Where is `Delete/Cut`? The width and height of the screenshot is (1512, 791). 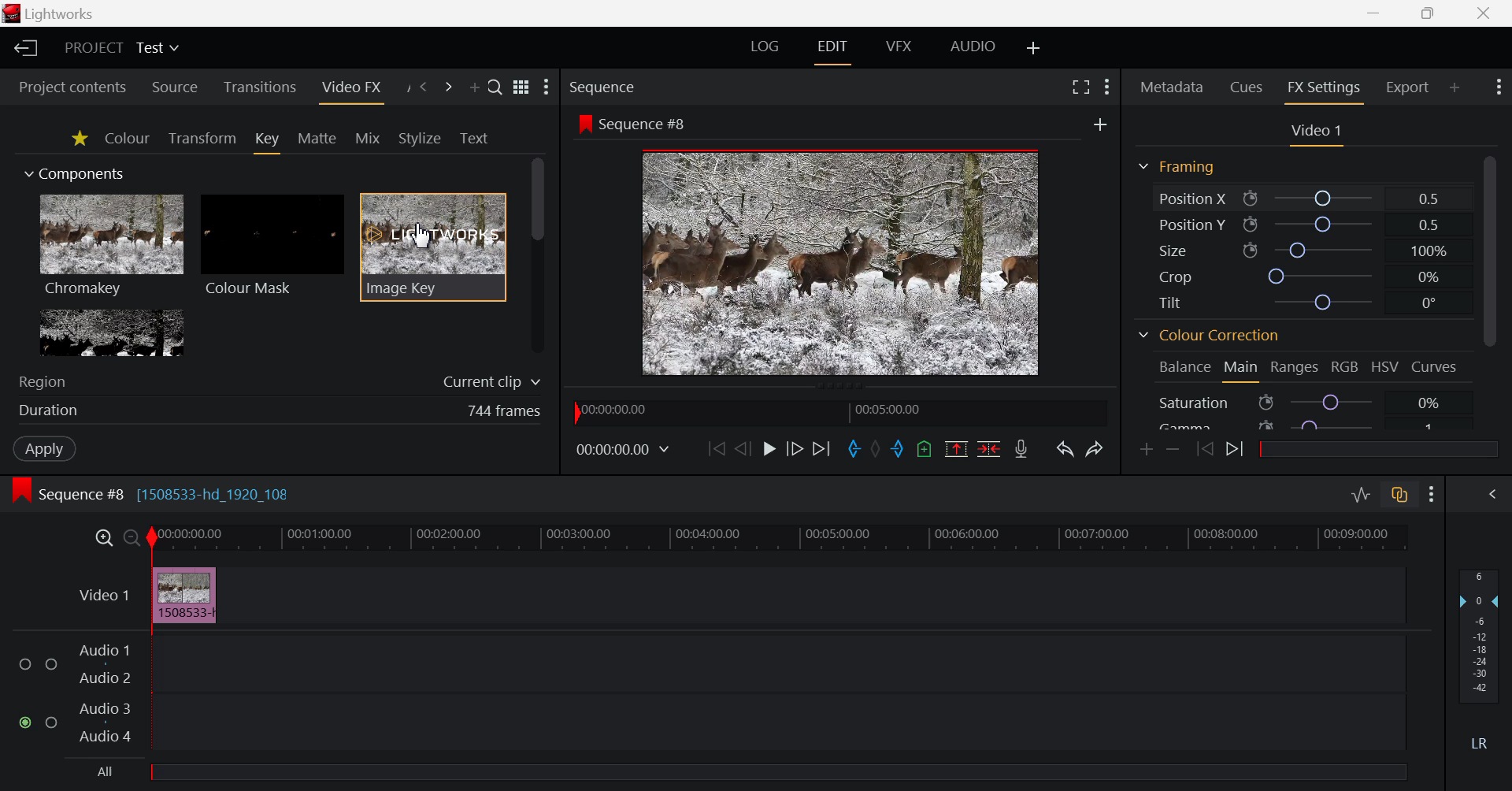
Delete/Cut is located at coordinates (988, 448).